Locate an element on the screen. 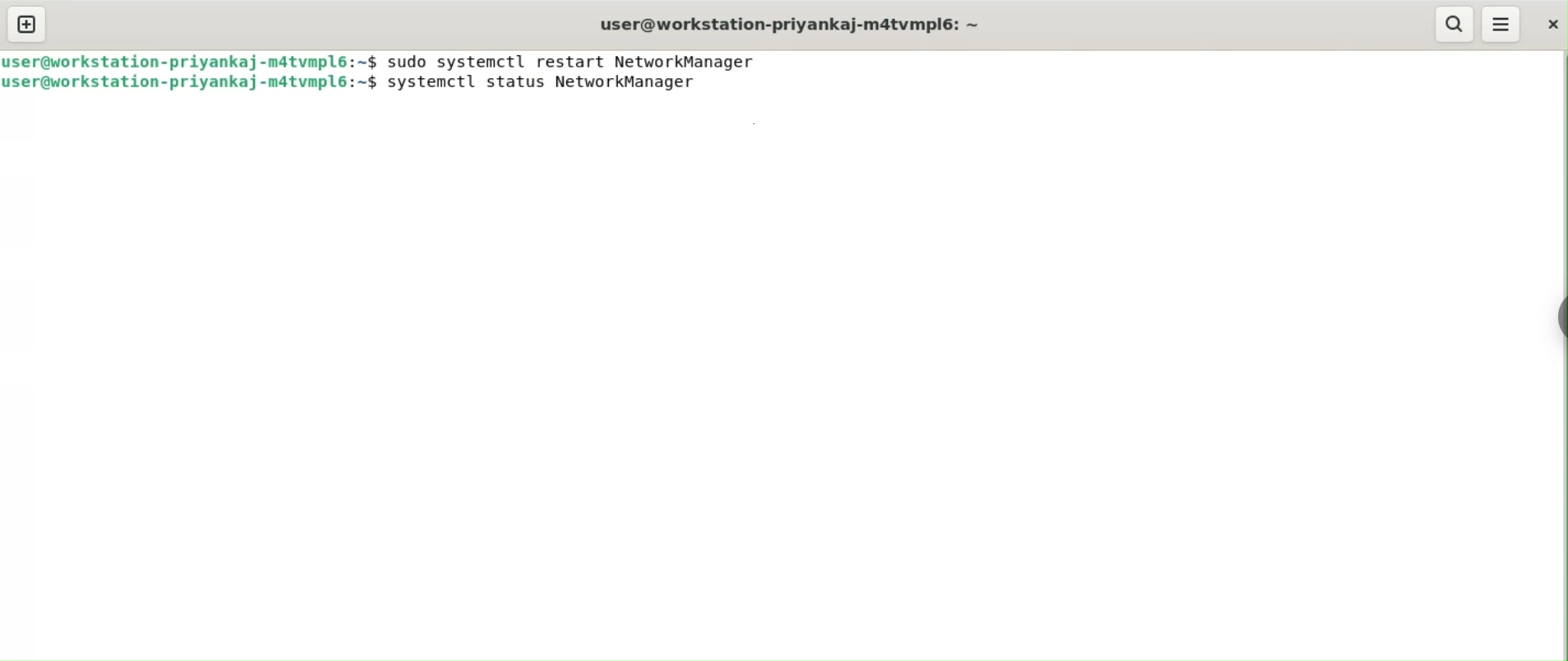 The height and width of the screenshot is (661, 1568). new tab is located at coordinates (25, 24).